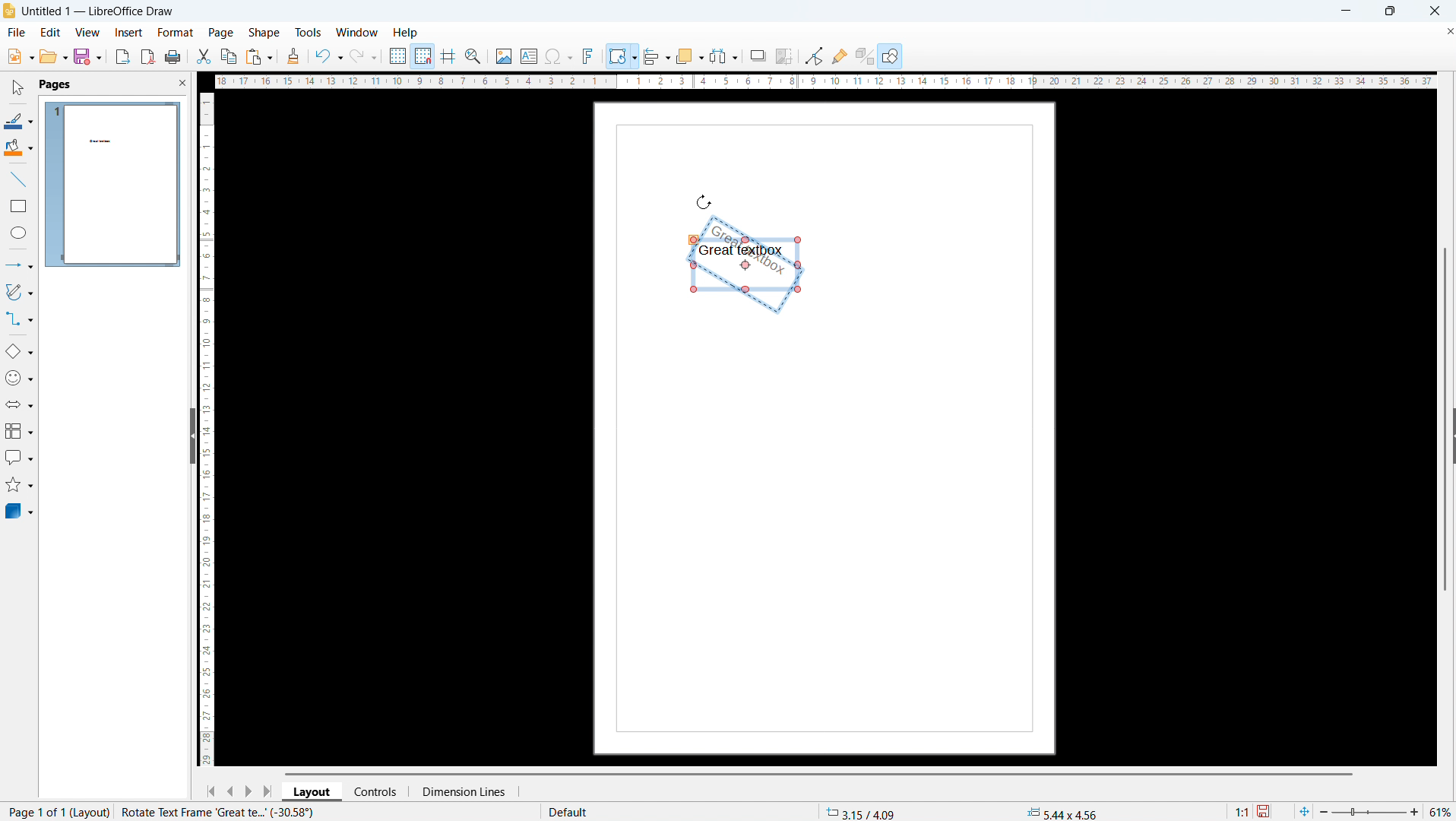 This screenshot has height=821, width=1456. Describe the element at coordinates (19, 320) in the screenshot. I see `connectors` at that location.